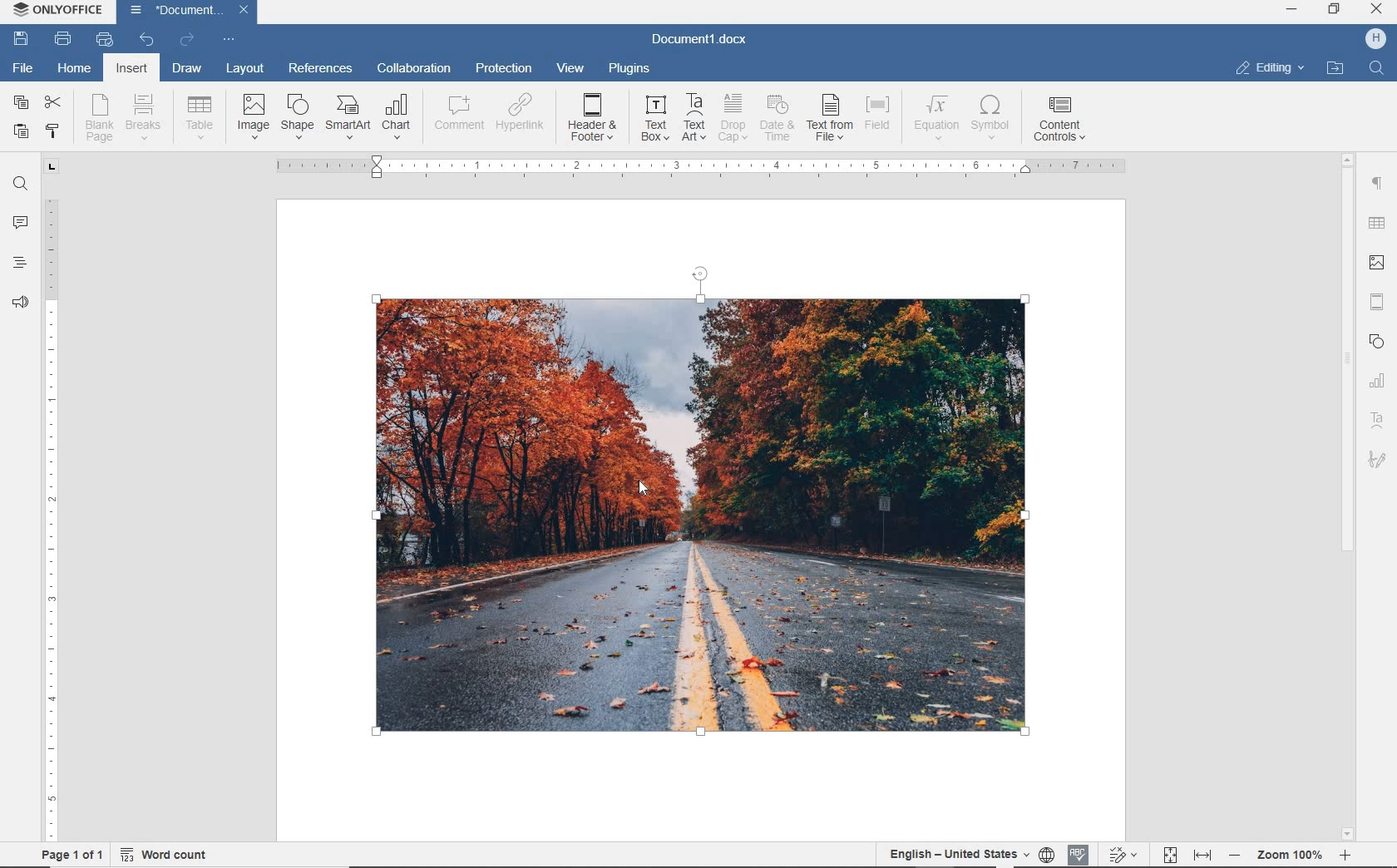  What do you see at coordinates (698, 40) in the screenshot?
I see `Document1.docx(document name)` at bounding box center [698, 40].